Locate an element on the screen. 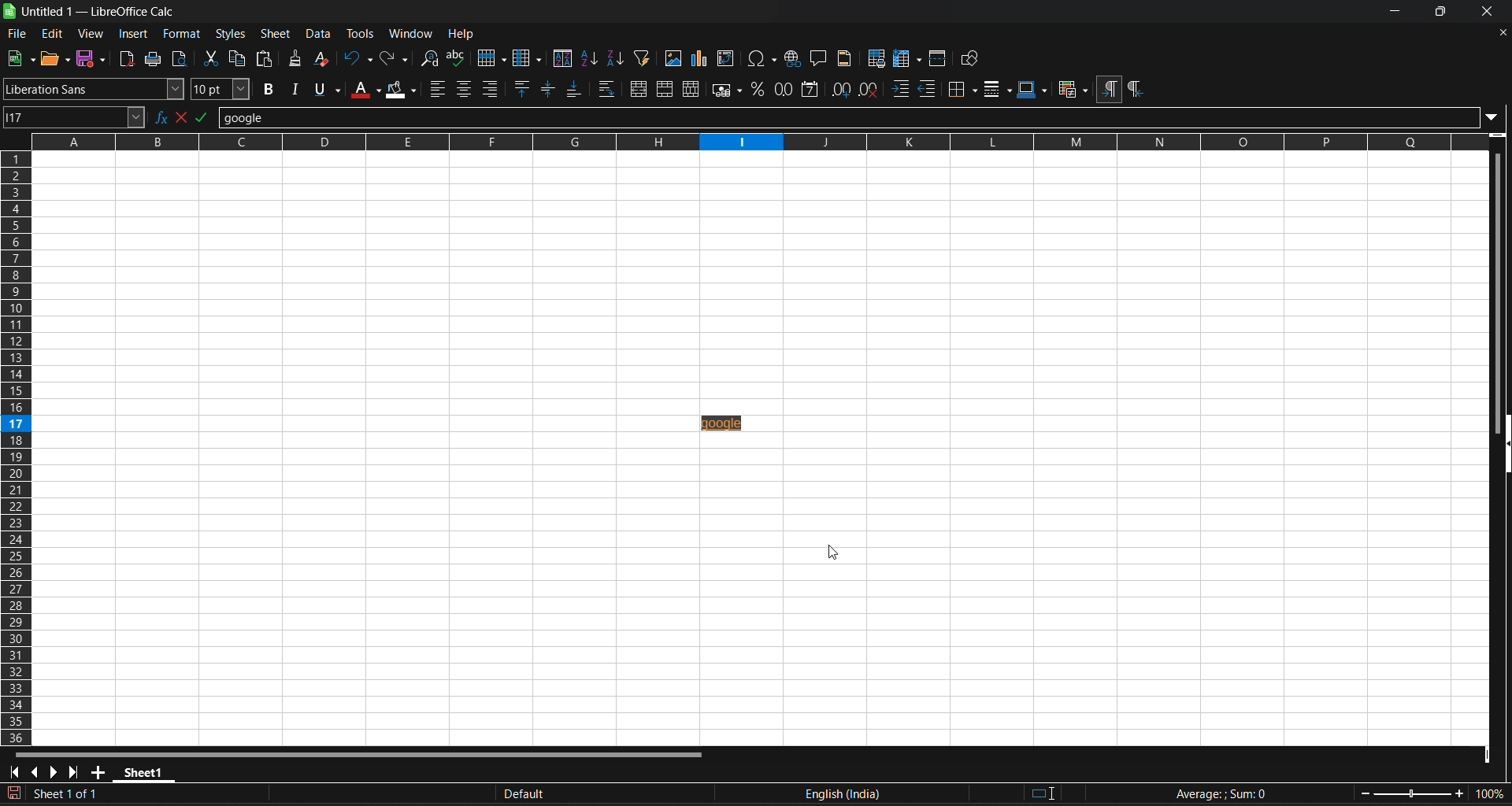 Image resolution: width=1512 pixels, height=806 pixels. left to right is located at coordinates (1109, 88).